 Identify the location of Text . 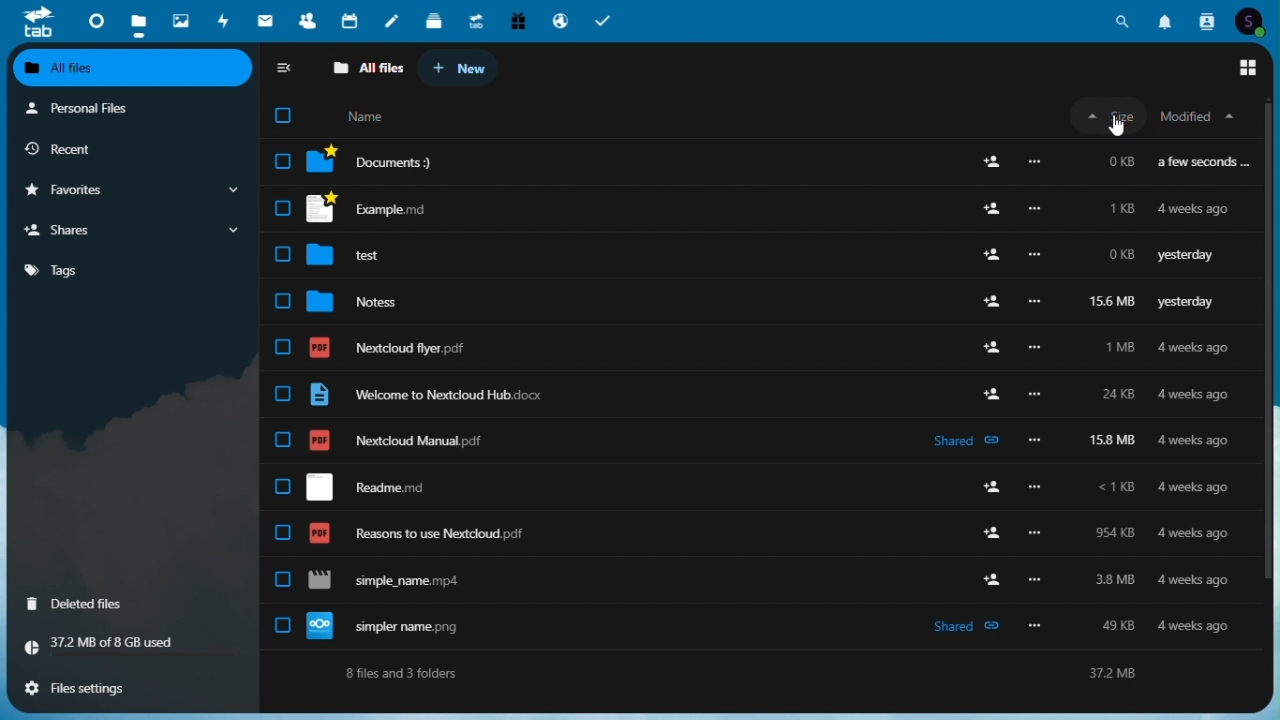
(759, 674).